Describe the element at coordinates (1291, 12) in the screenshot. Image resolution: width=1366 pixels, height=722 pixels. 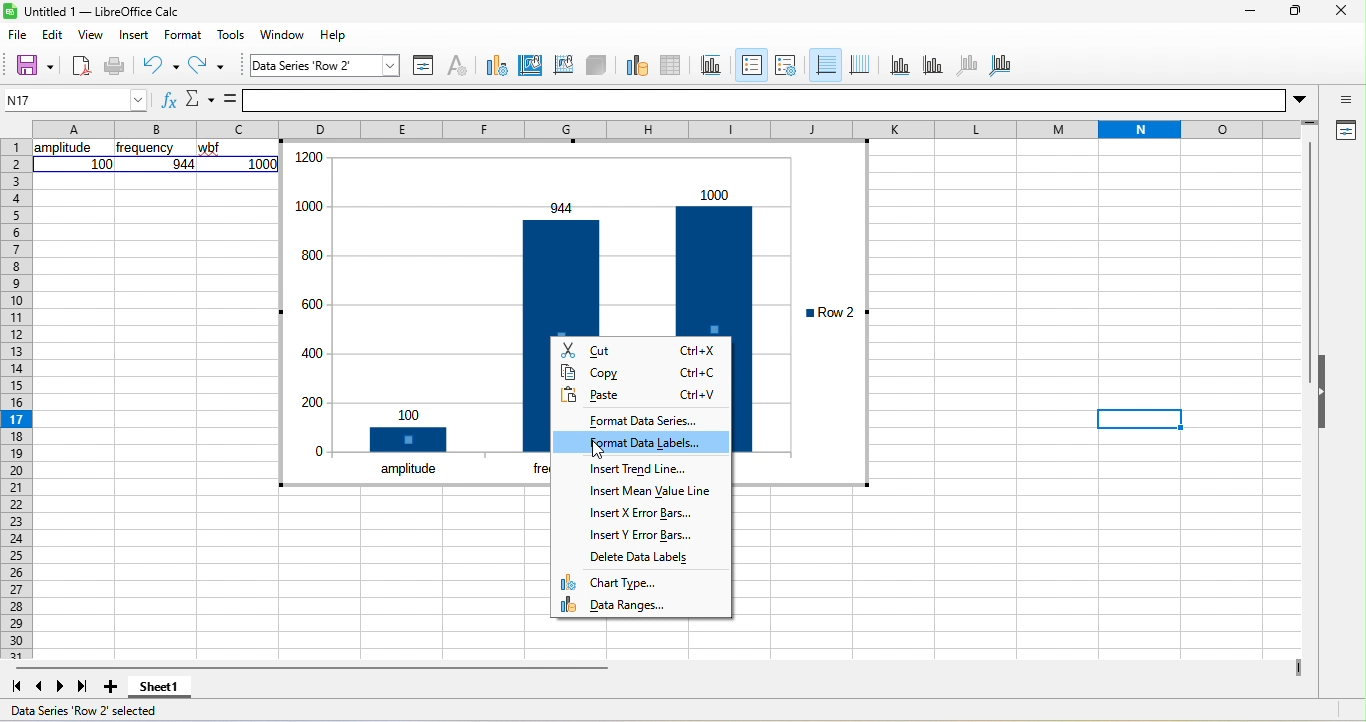
I see `maximize` at that location.